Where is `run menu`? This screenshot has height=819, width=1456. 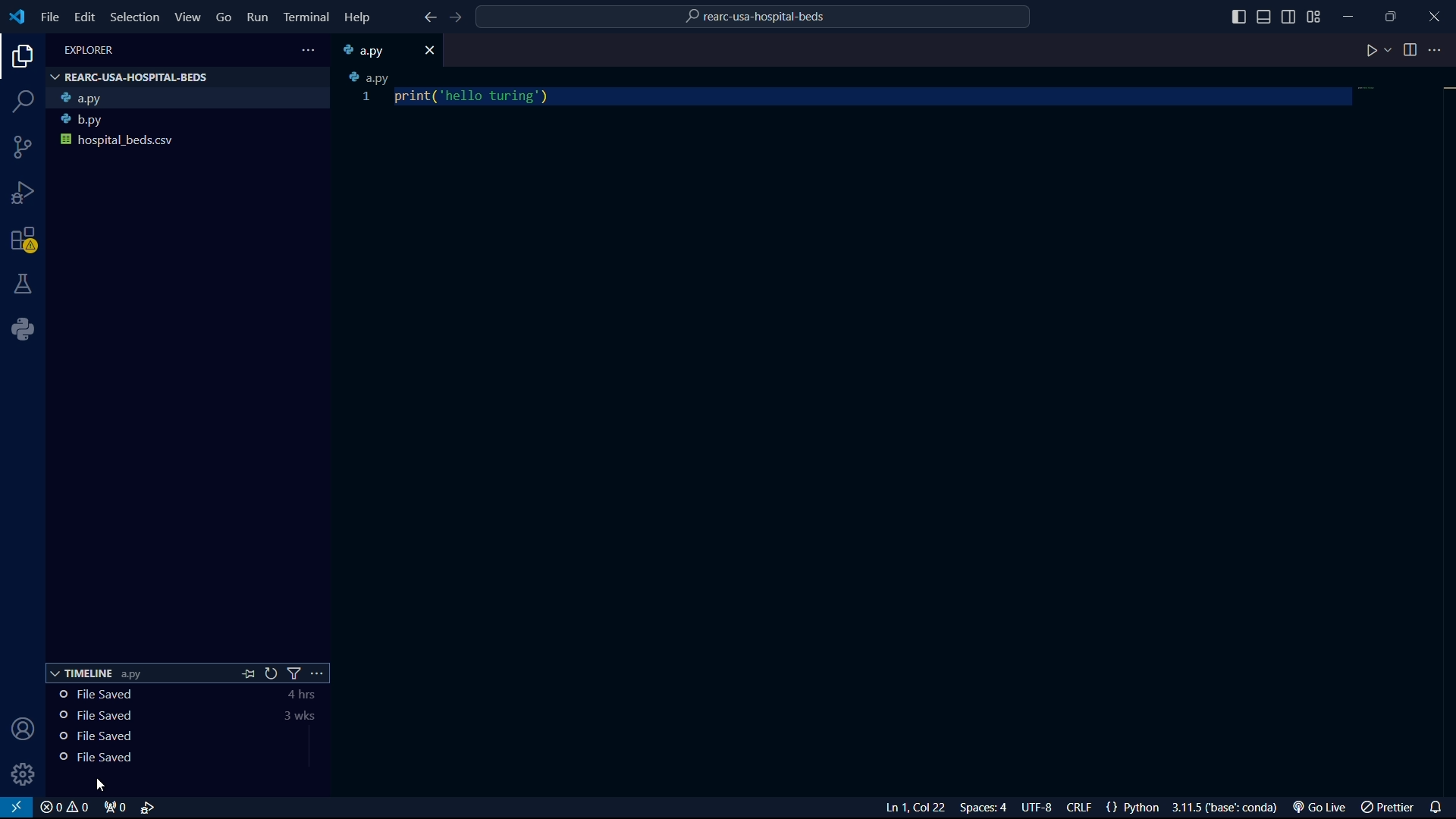
run menu is located at coordinates (257, 18).